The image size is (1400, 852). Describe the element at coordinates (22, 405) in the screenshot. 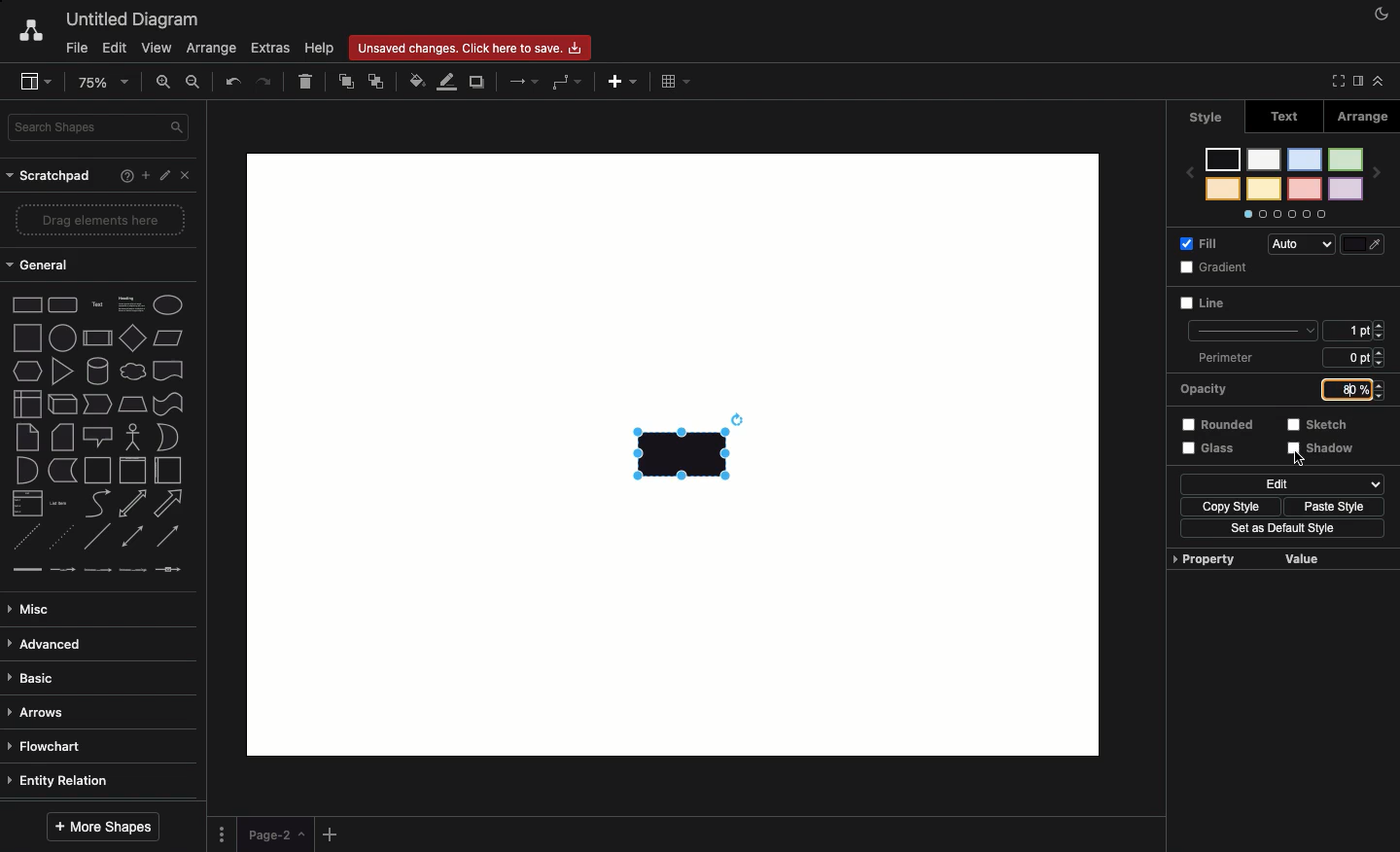

I see `internal storage` at that location.